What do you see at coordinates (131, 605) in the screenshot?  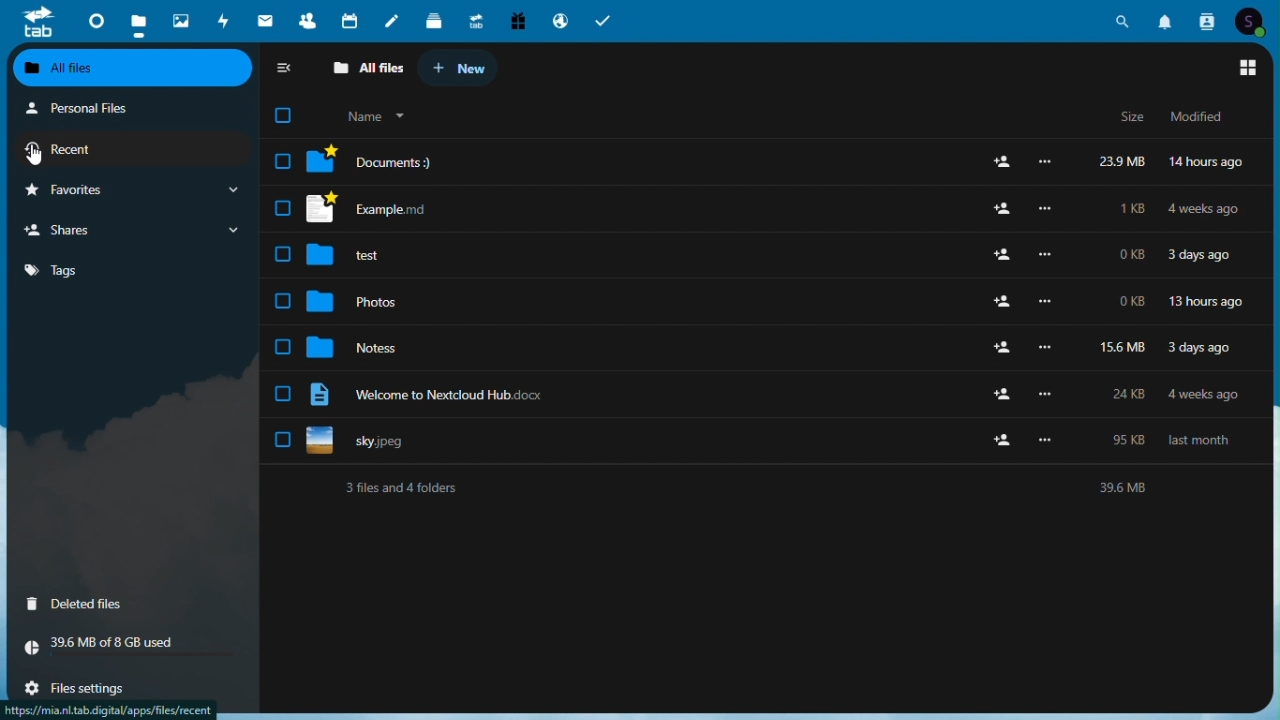 I see `deleted files` at bounding box center [131, 605].